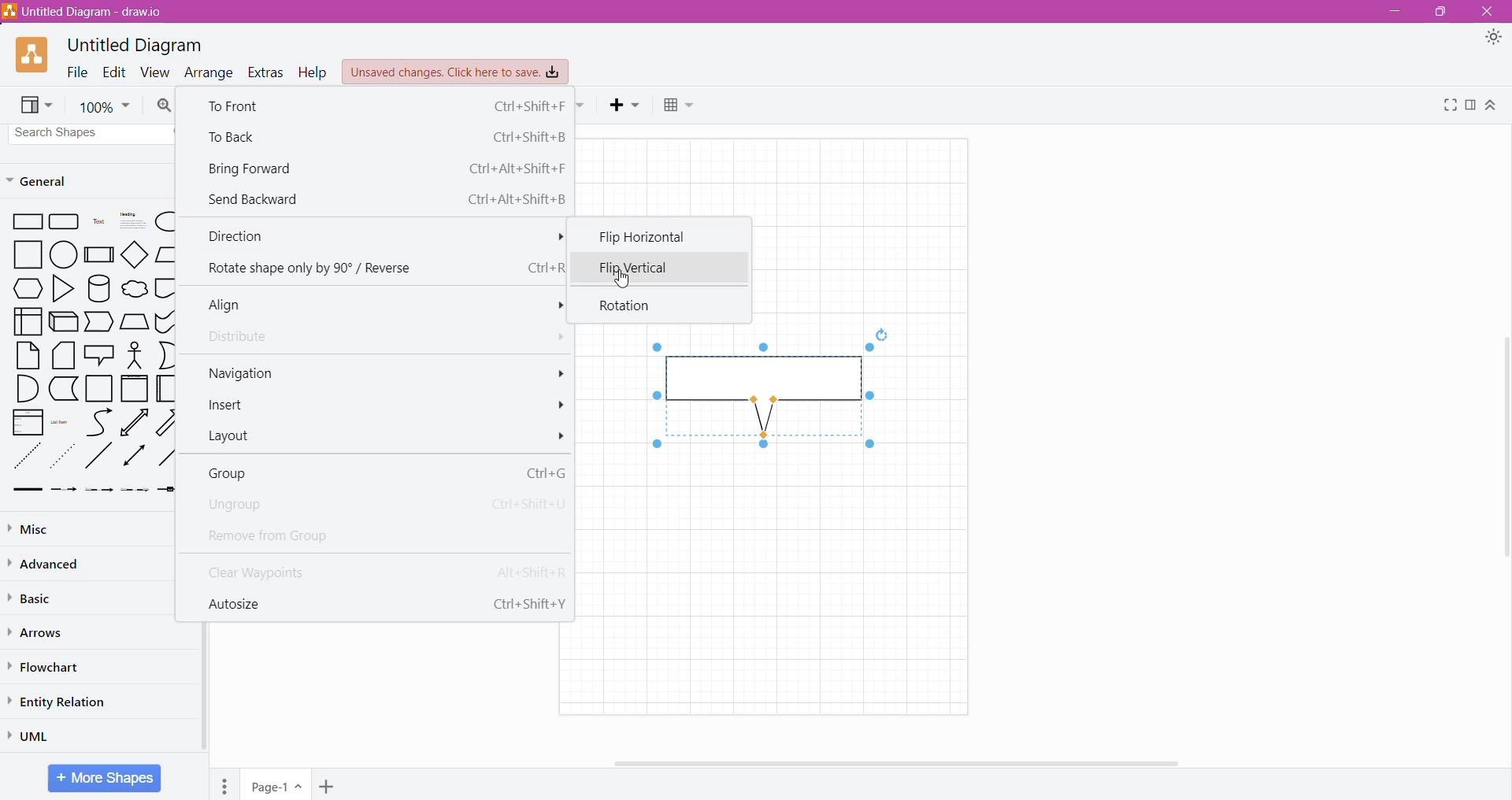  I want to click on Vertical Scroll Bar, so click(1502, 451).